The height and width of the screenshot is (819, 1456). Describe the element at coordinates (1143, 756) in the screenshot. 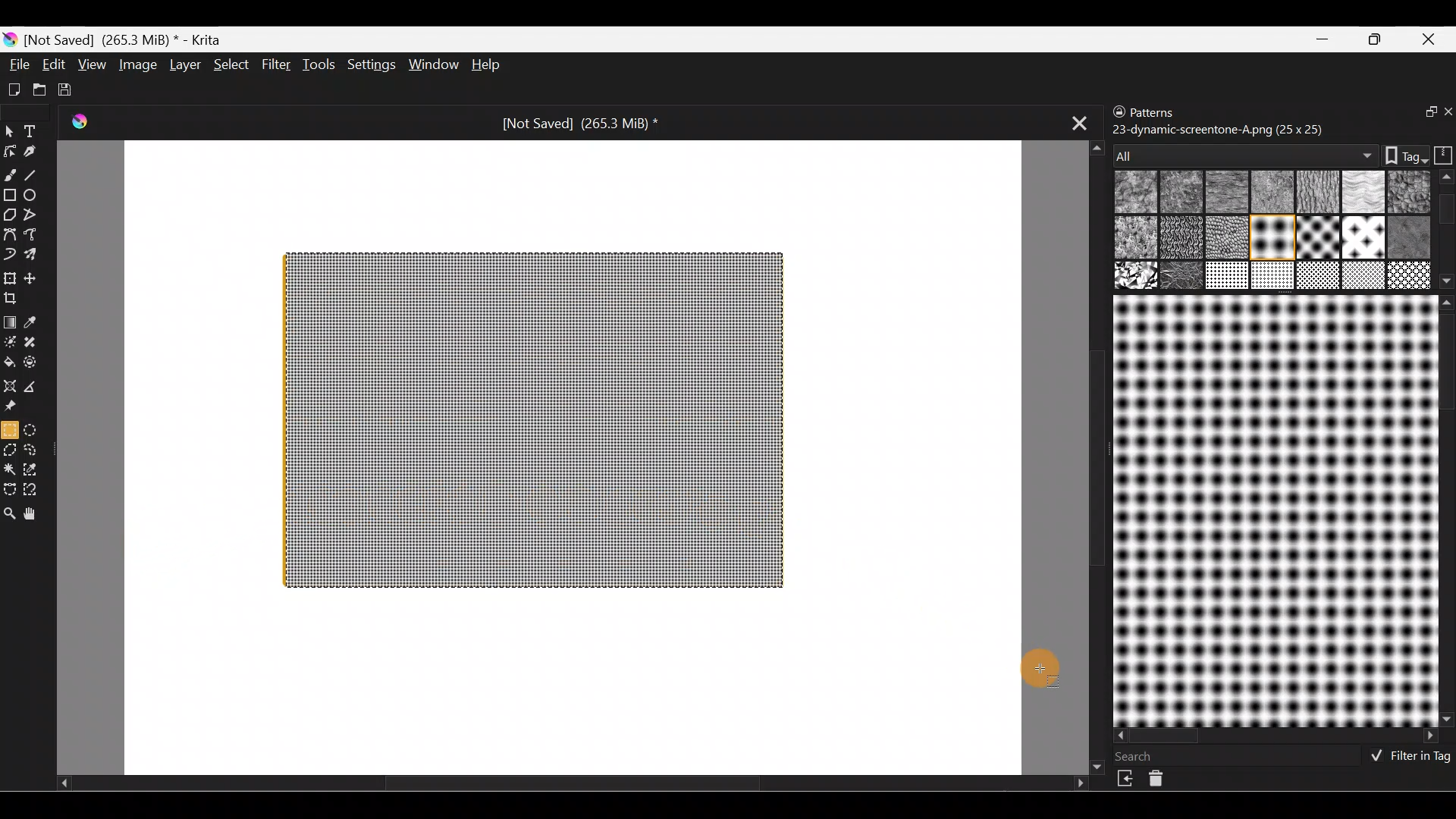

I see `Search` at that location.